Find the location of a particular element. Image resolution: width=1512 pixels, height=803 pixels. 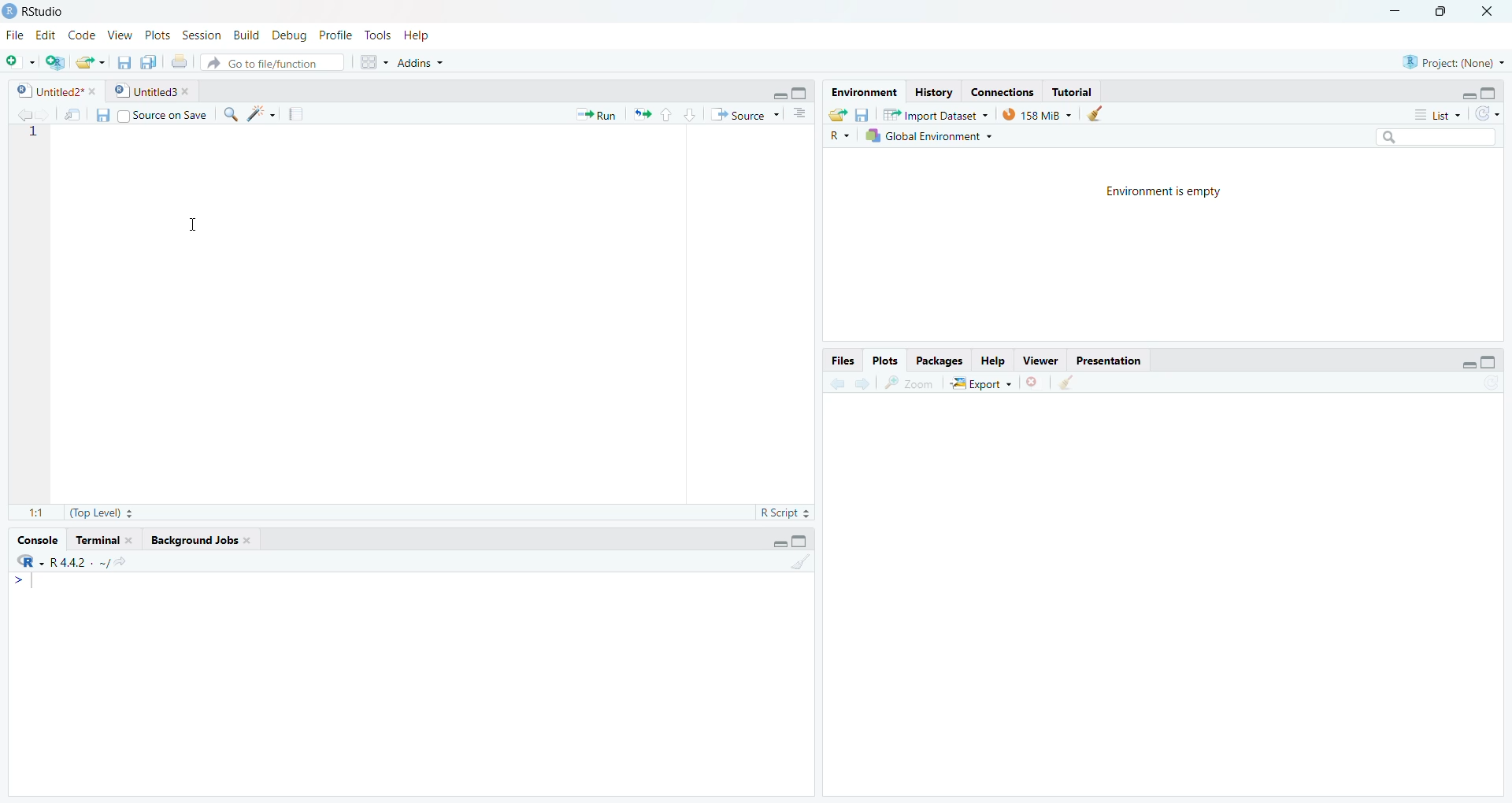

Untitled is located at coordinates (154, 90).